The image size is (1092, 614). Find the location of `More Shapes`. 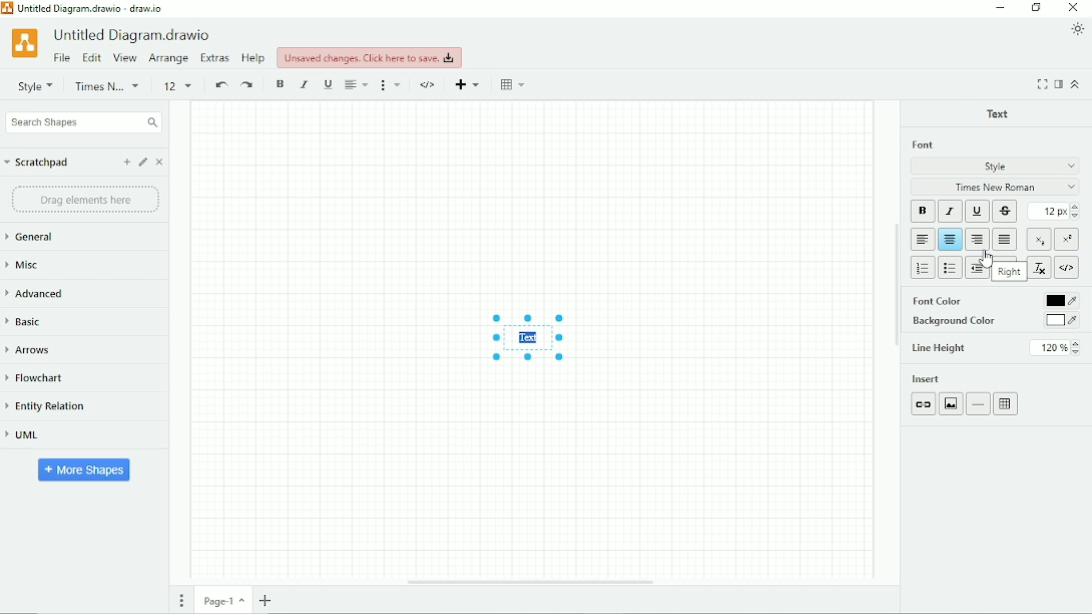

More Shapes is located at coordinates (85, 470).